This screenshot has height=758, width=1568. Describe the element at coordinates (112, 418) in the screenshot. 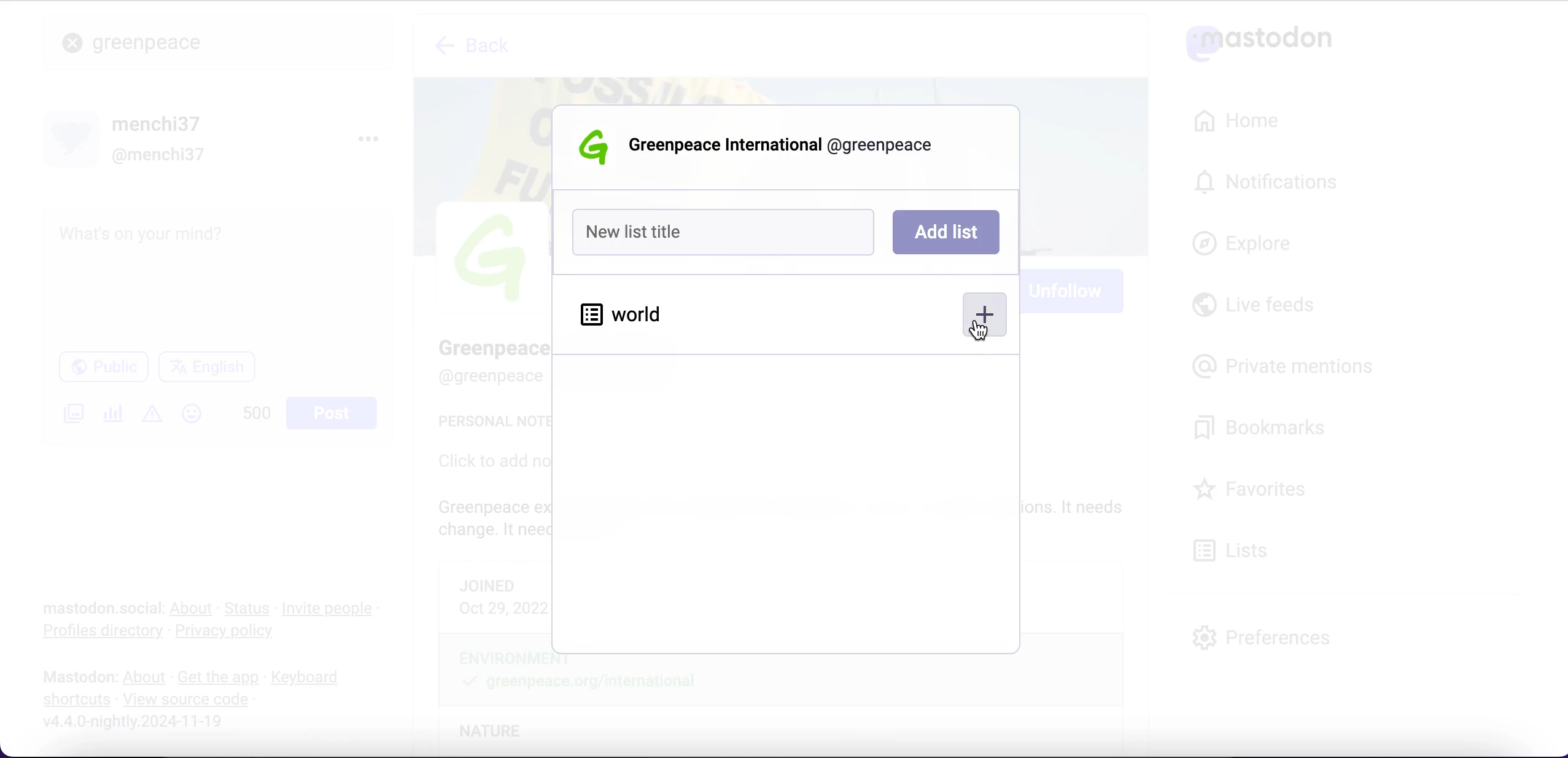

I see `add a poll` at that location.